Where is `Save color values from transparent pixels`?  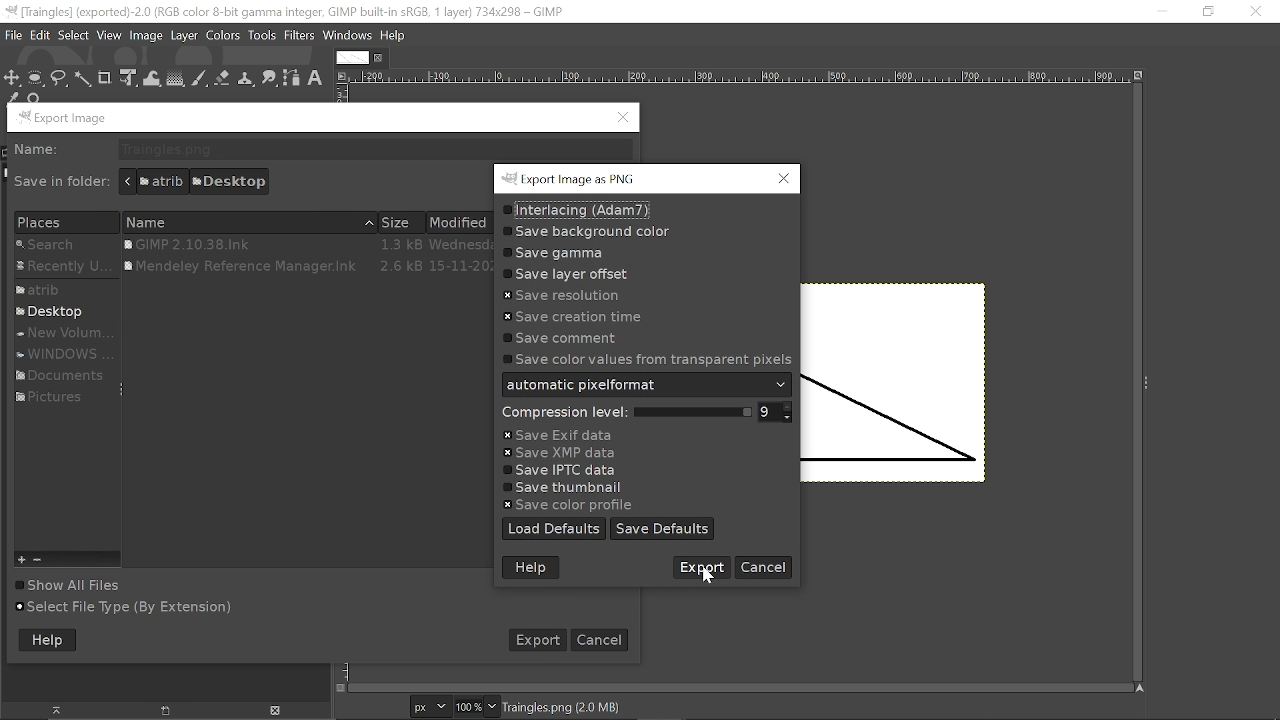
Save color values from transparent pixels is located at coordinates (645, 359).